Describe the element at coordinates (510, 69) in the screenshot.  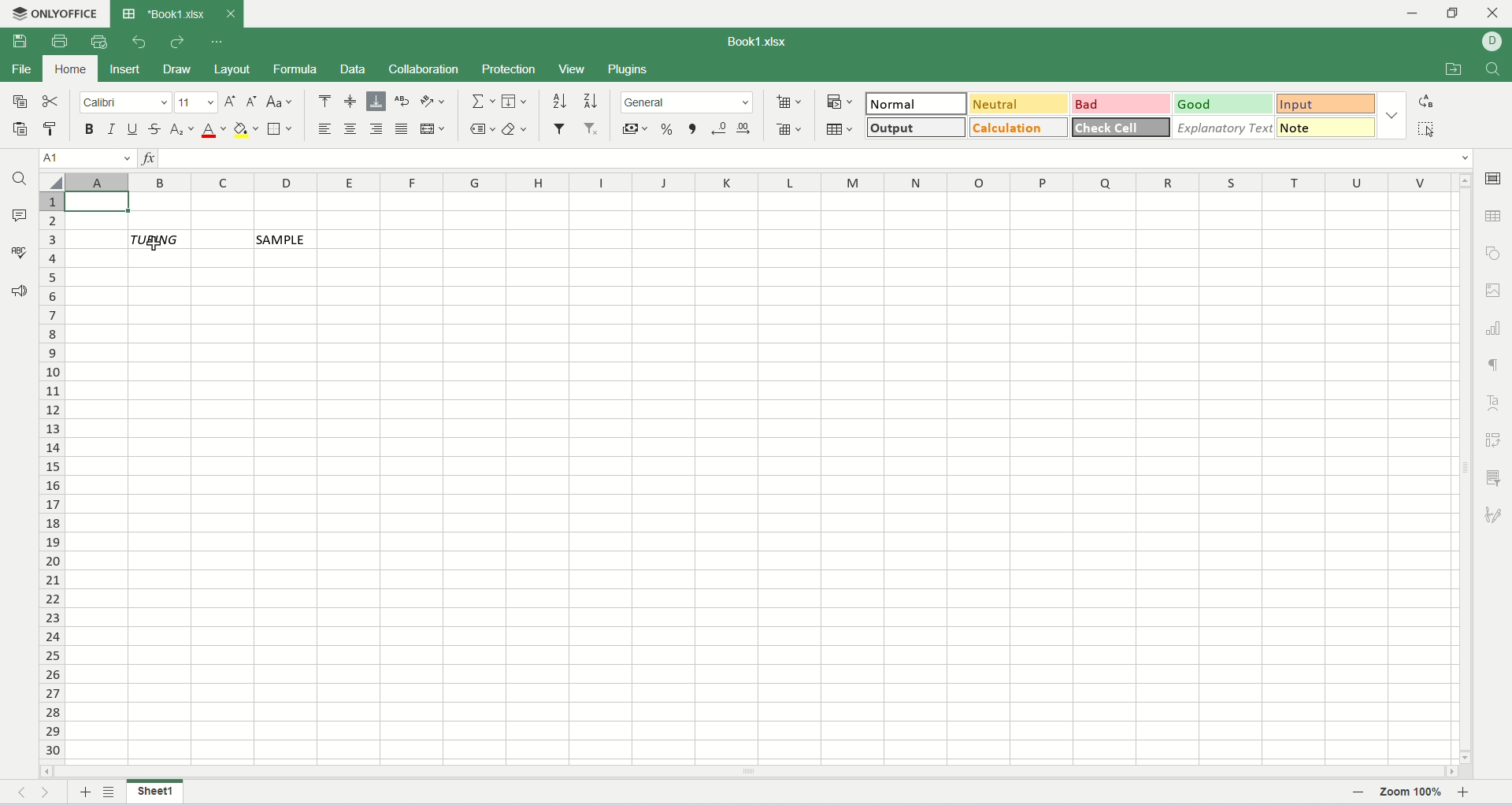
I see `protection` at that location.